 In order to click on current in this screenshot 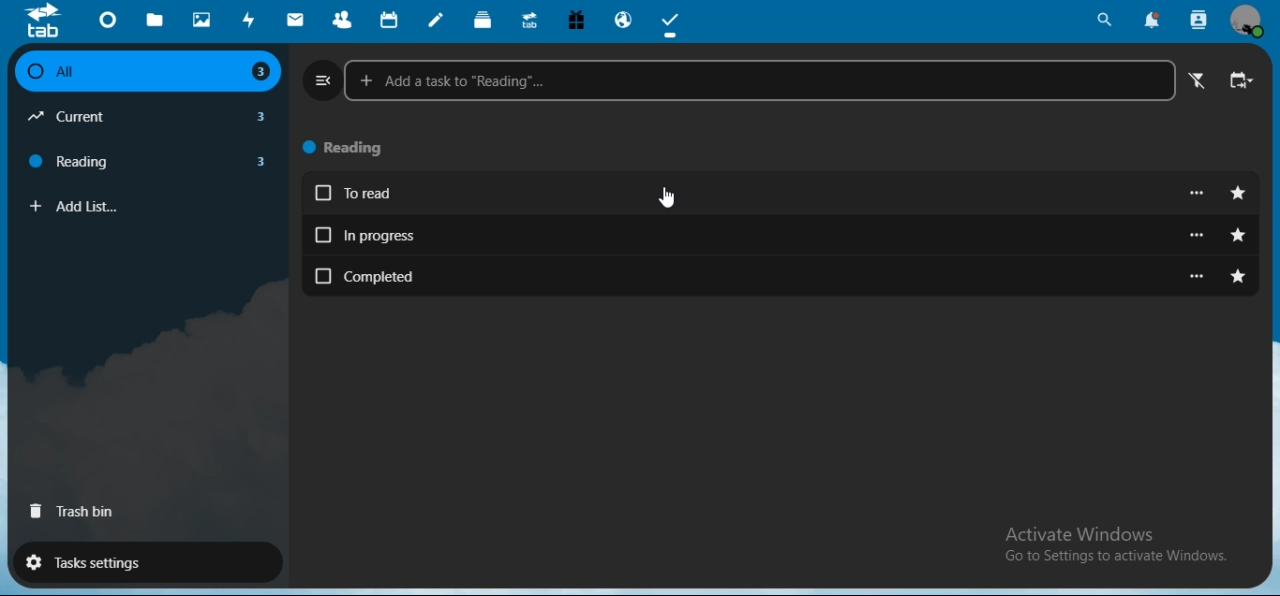, I will do `click(149, 117)`.